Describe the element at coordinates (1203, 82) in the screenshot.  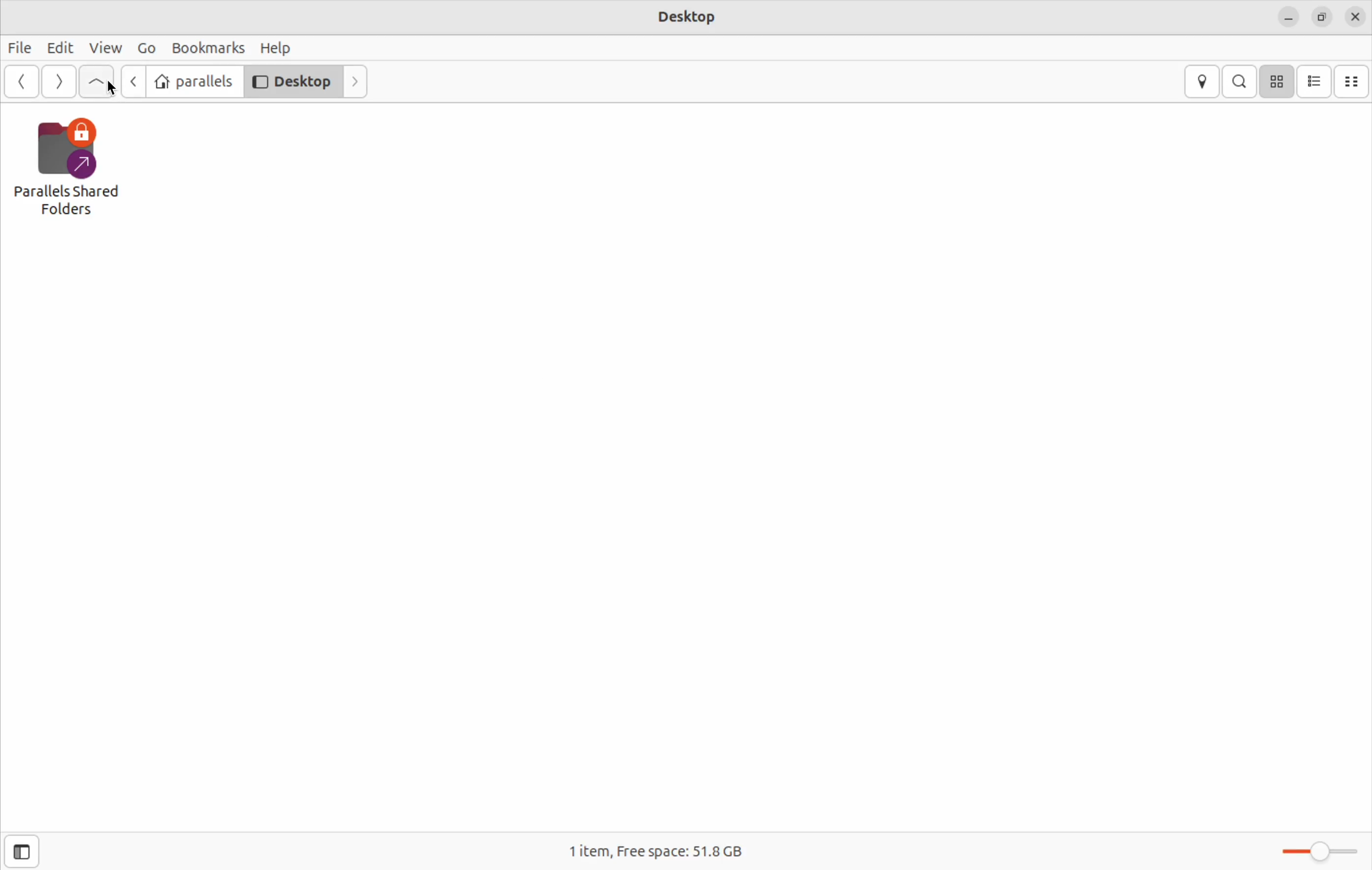
I see `location` at that location.